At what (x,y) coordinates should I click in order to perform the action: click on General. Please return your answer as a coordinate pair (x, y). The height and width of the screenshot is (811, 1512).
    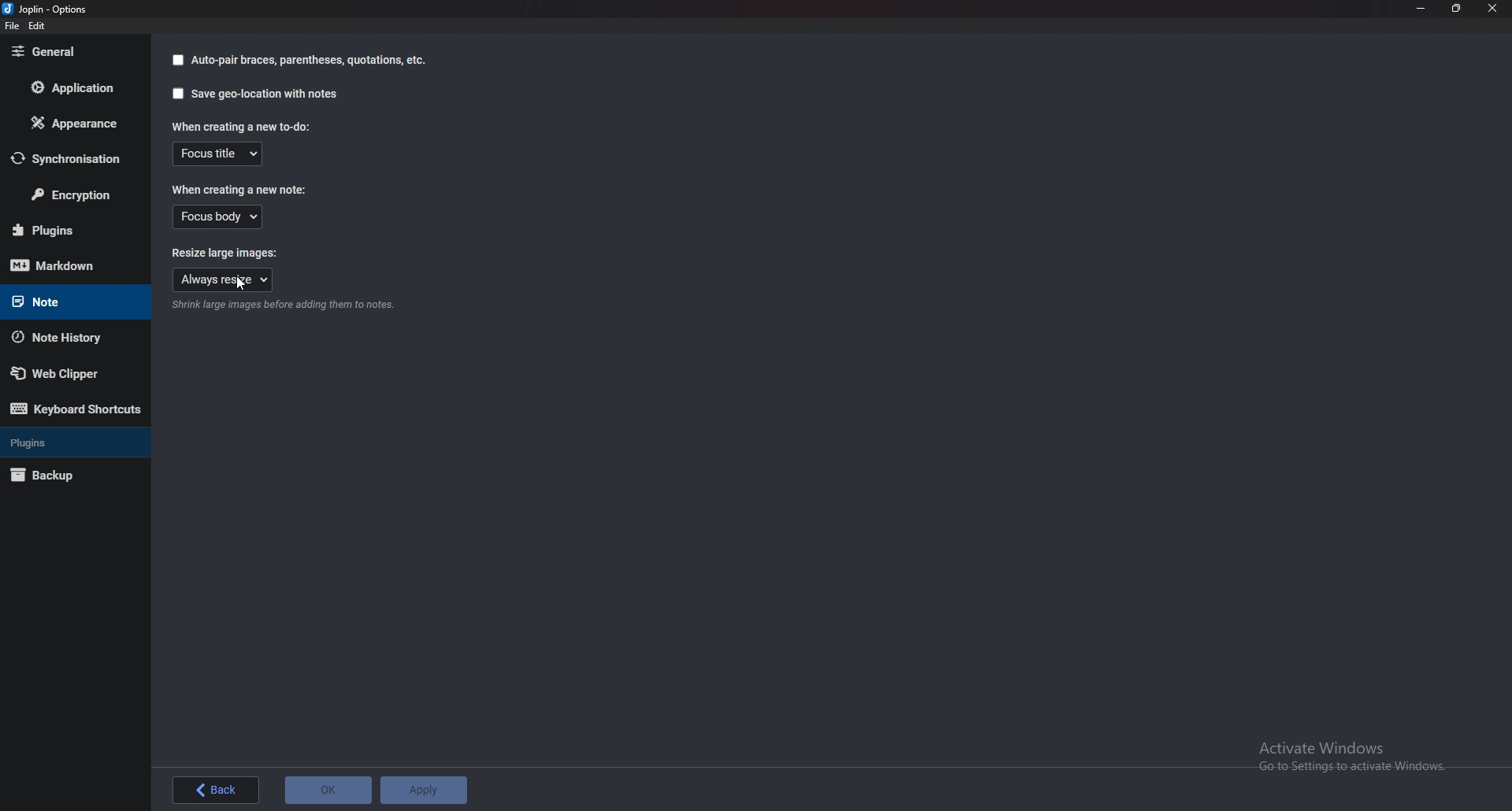
    Looking at the image, I should click on (65, 53).